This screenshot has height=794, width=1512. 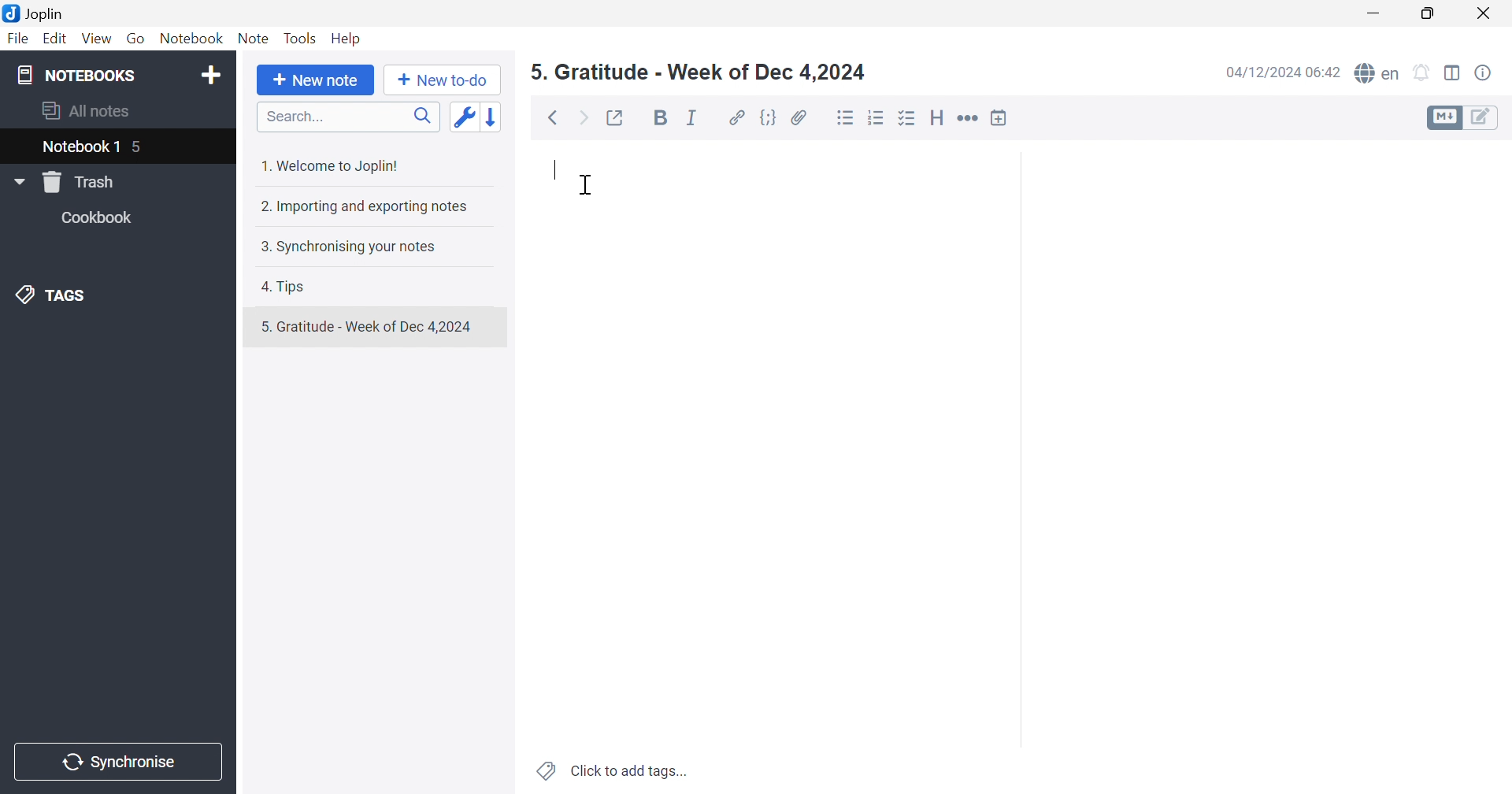 I want to click on Typing cursor, so click(x=555, y=169).